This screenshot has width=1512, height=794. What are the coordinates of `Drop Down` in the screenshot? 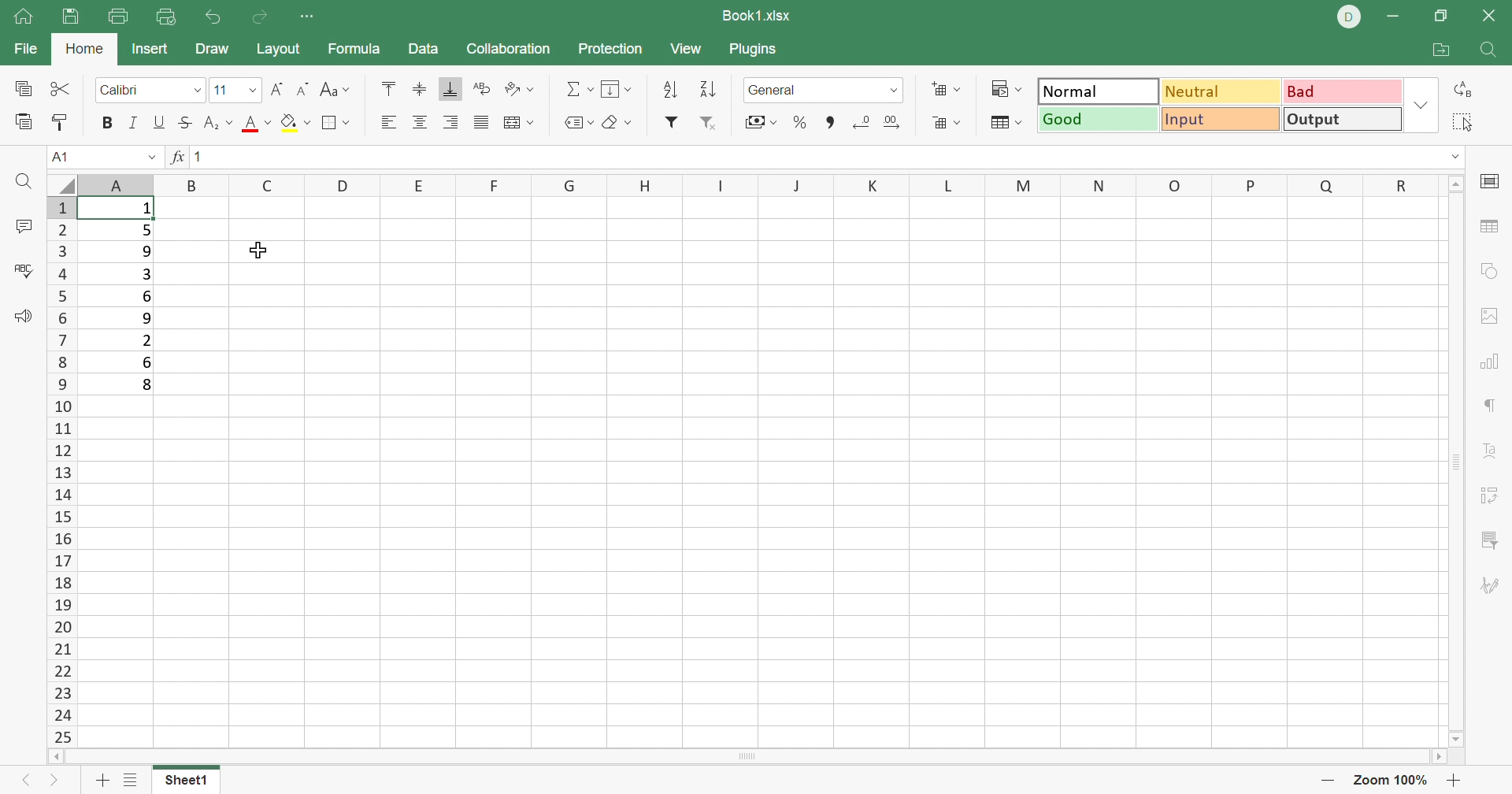 It's located at (895, 89).